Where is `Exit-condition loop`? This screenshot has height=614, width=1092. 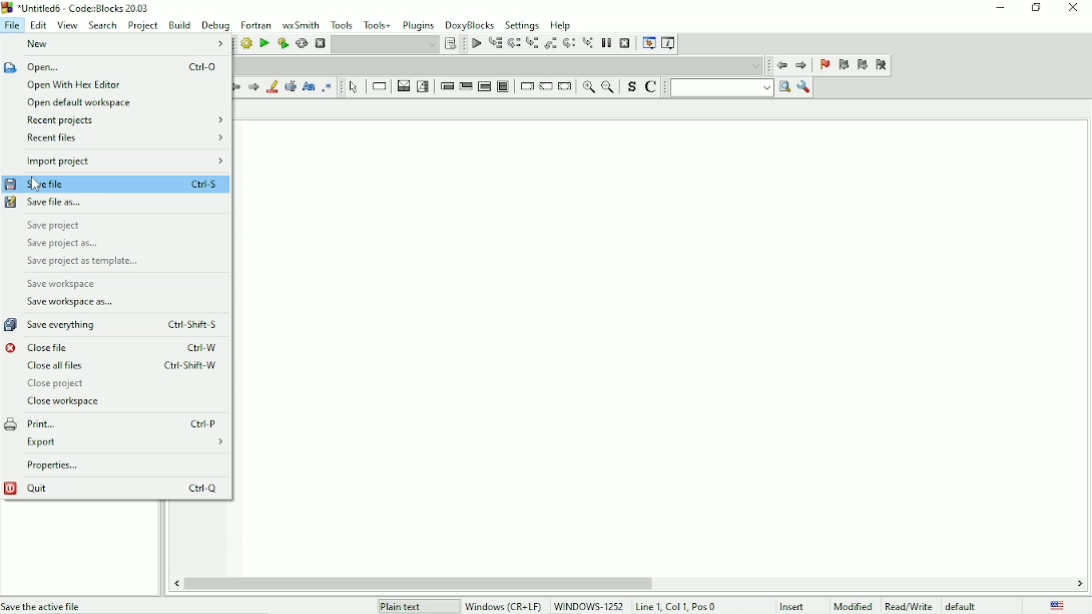 Exit-condition loop is located at coordinates (465, 86).